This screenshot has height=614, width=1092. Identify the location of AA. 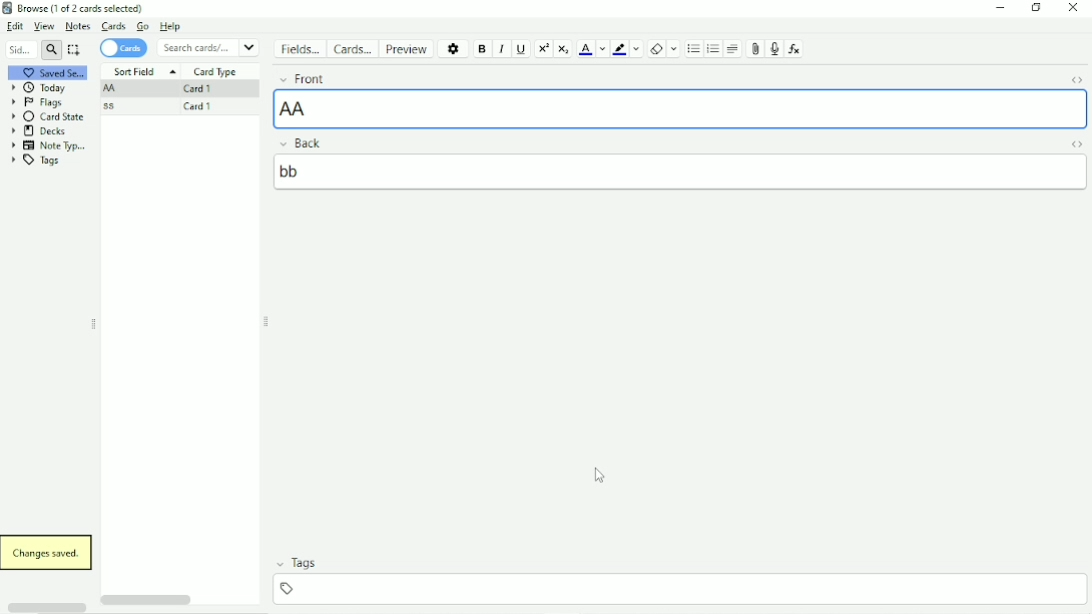
(112, 89).